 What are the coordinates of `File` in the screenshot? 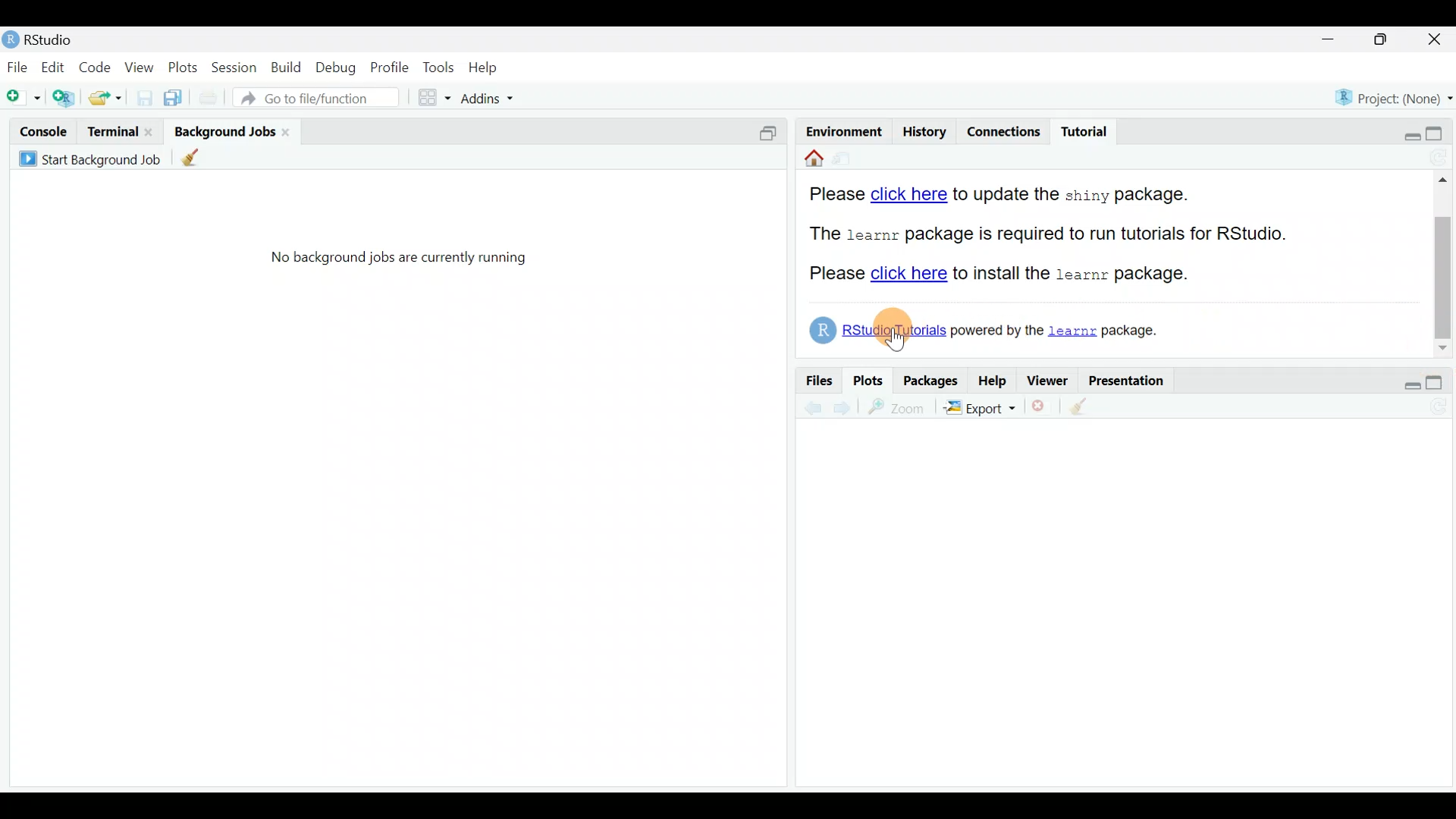 It's located at (17, 67).